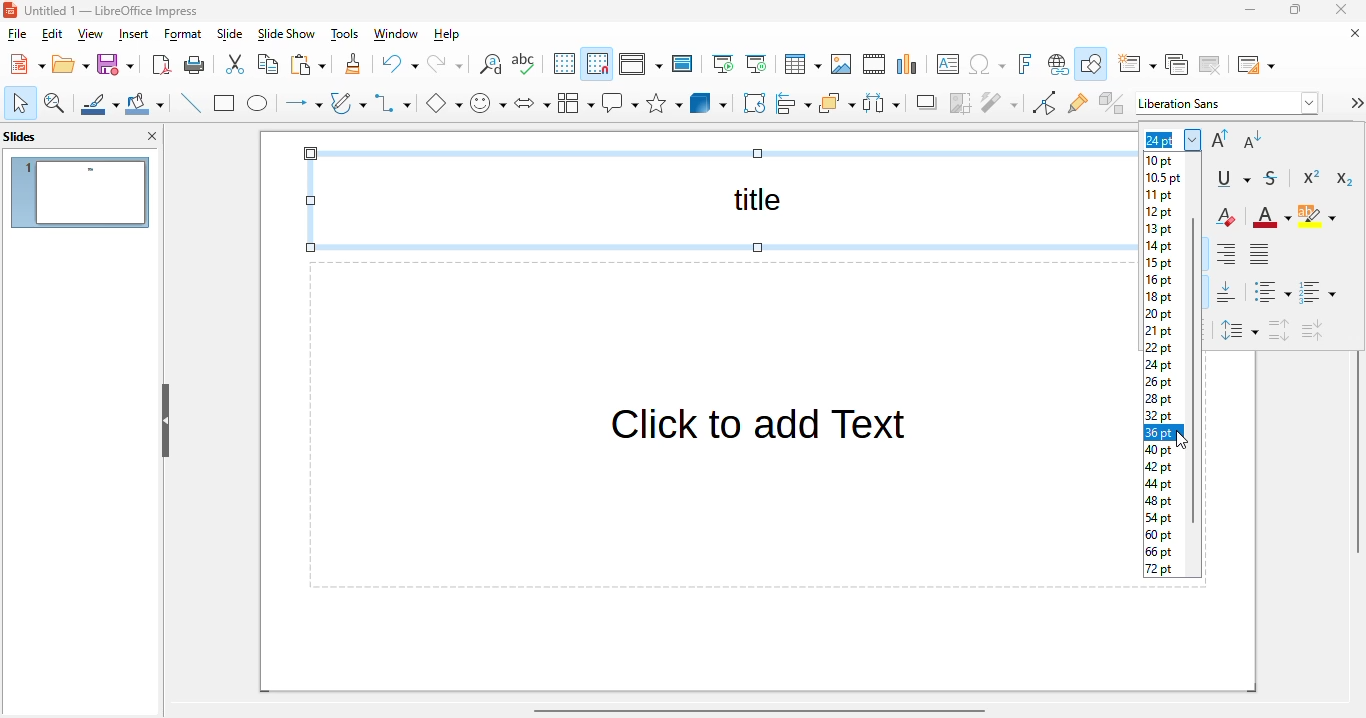 The image size is (1366, 718). What do you see at coordinates (987, 64) in the screenshot?
I see `insert special characters` at bounding box center [987, 64].